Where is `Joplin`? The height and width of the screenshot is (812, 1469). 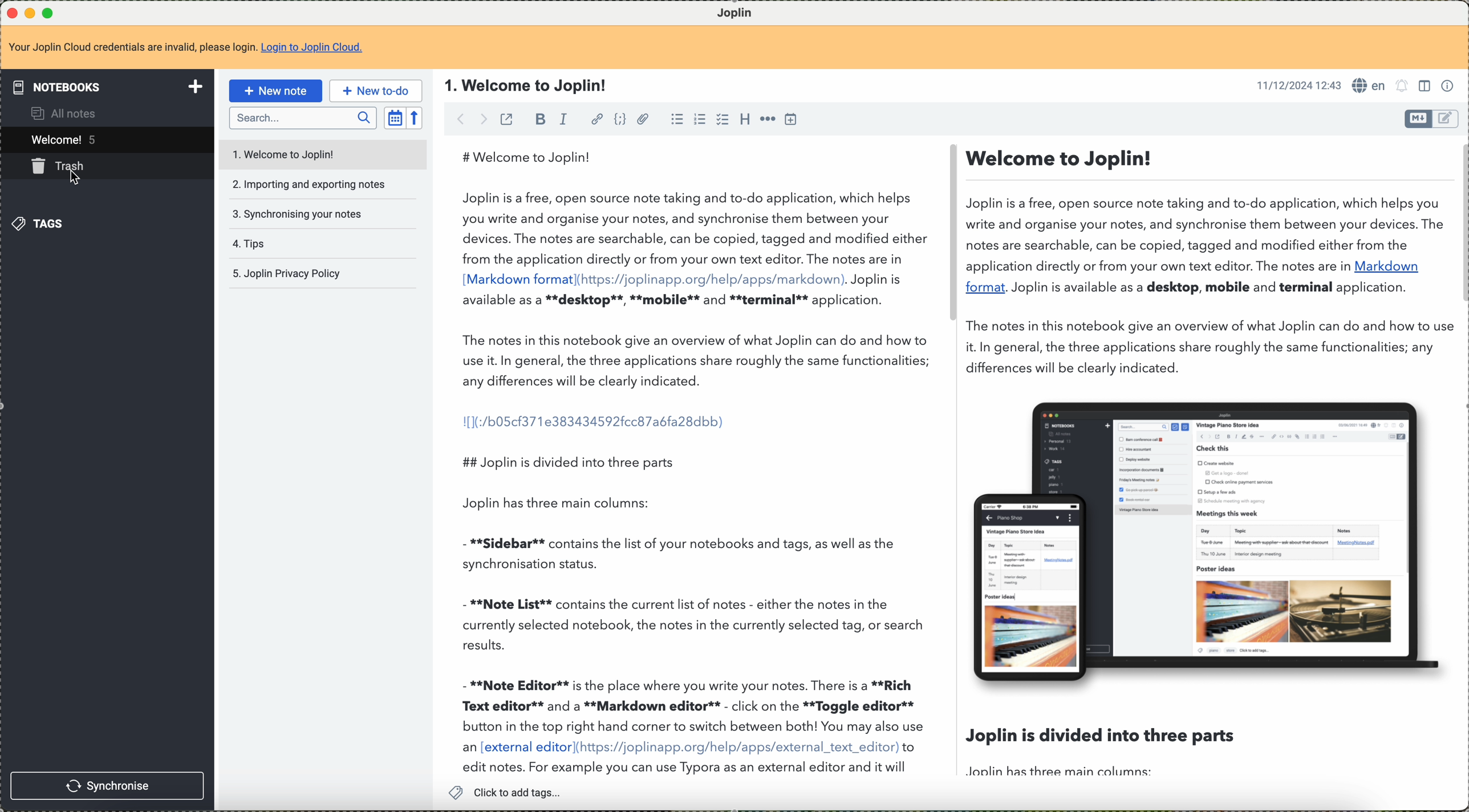 Joplin is located at coordinates (733, 12).